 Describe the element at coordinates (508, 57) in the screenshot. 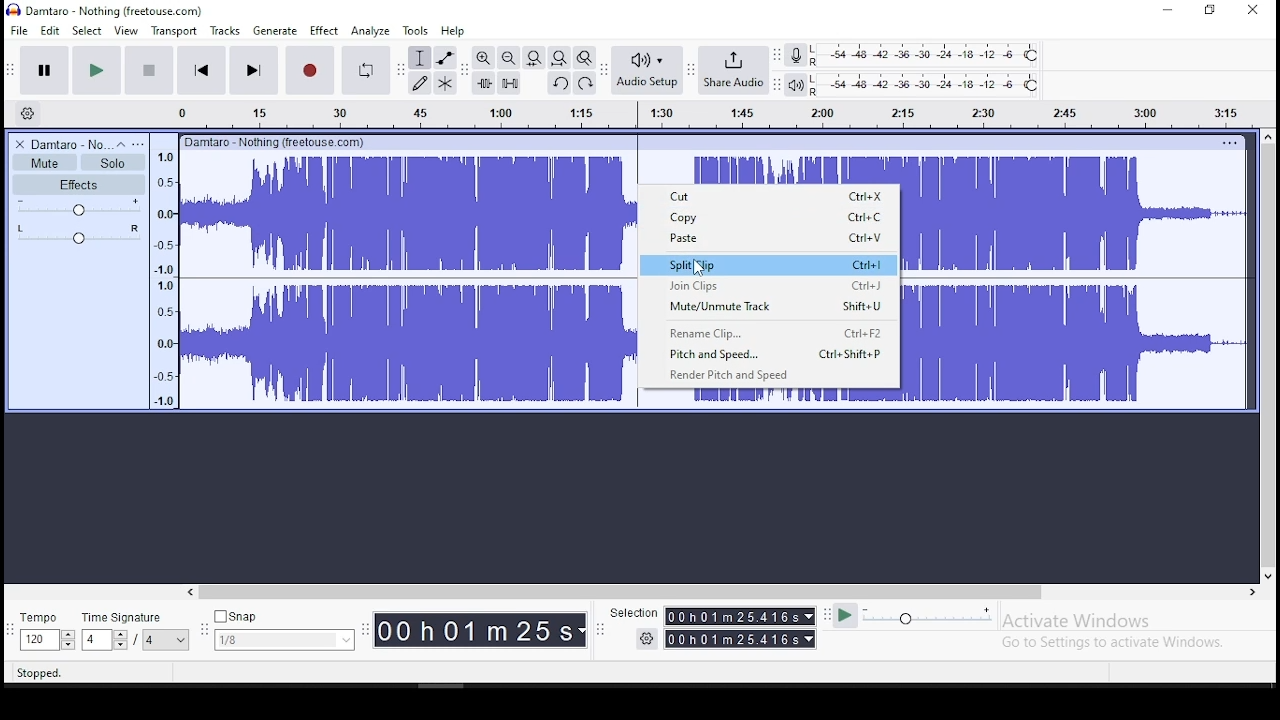

I see `zoom out` at that location.